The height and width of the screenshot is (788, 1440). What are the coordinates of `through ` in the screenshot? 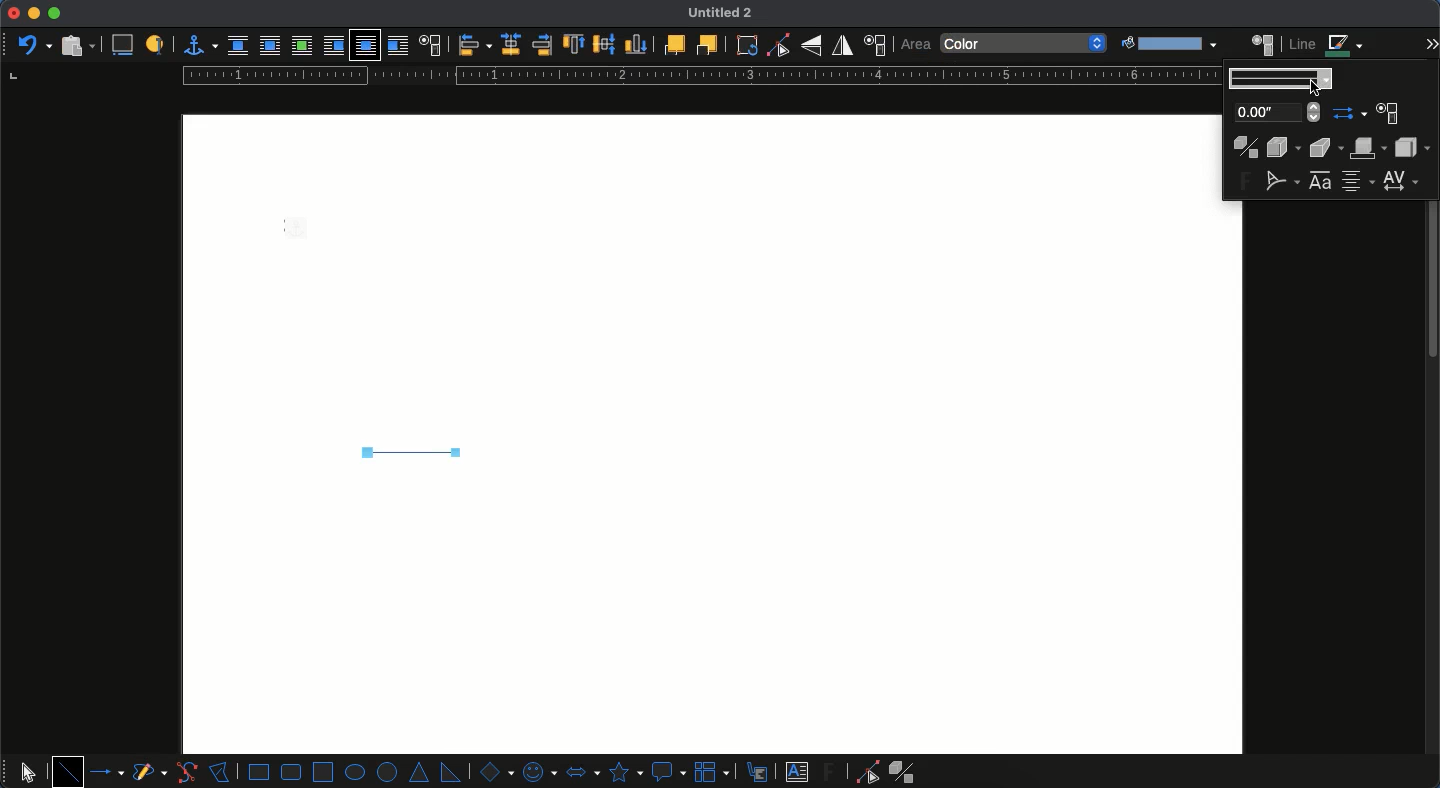 It's located at (365, 46).